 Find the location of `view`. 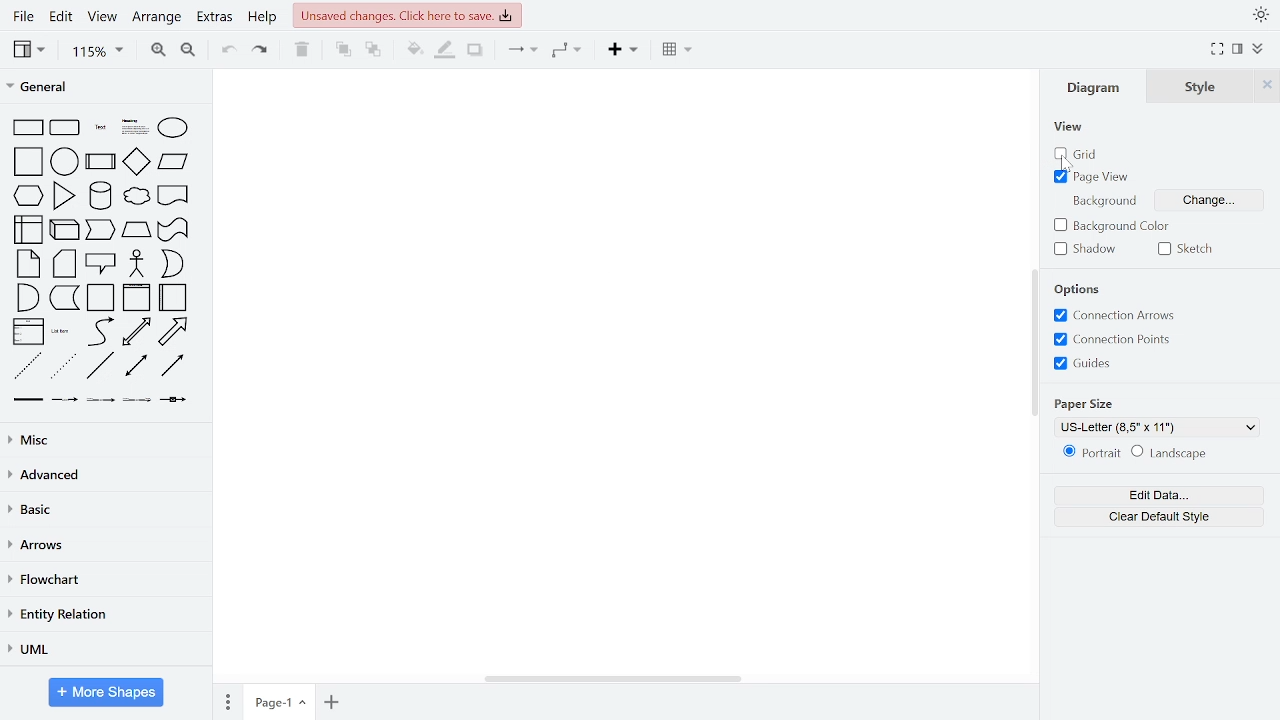

view is located at coordinates (30, 50).